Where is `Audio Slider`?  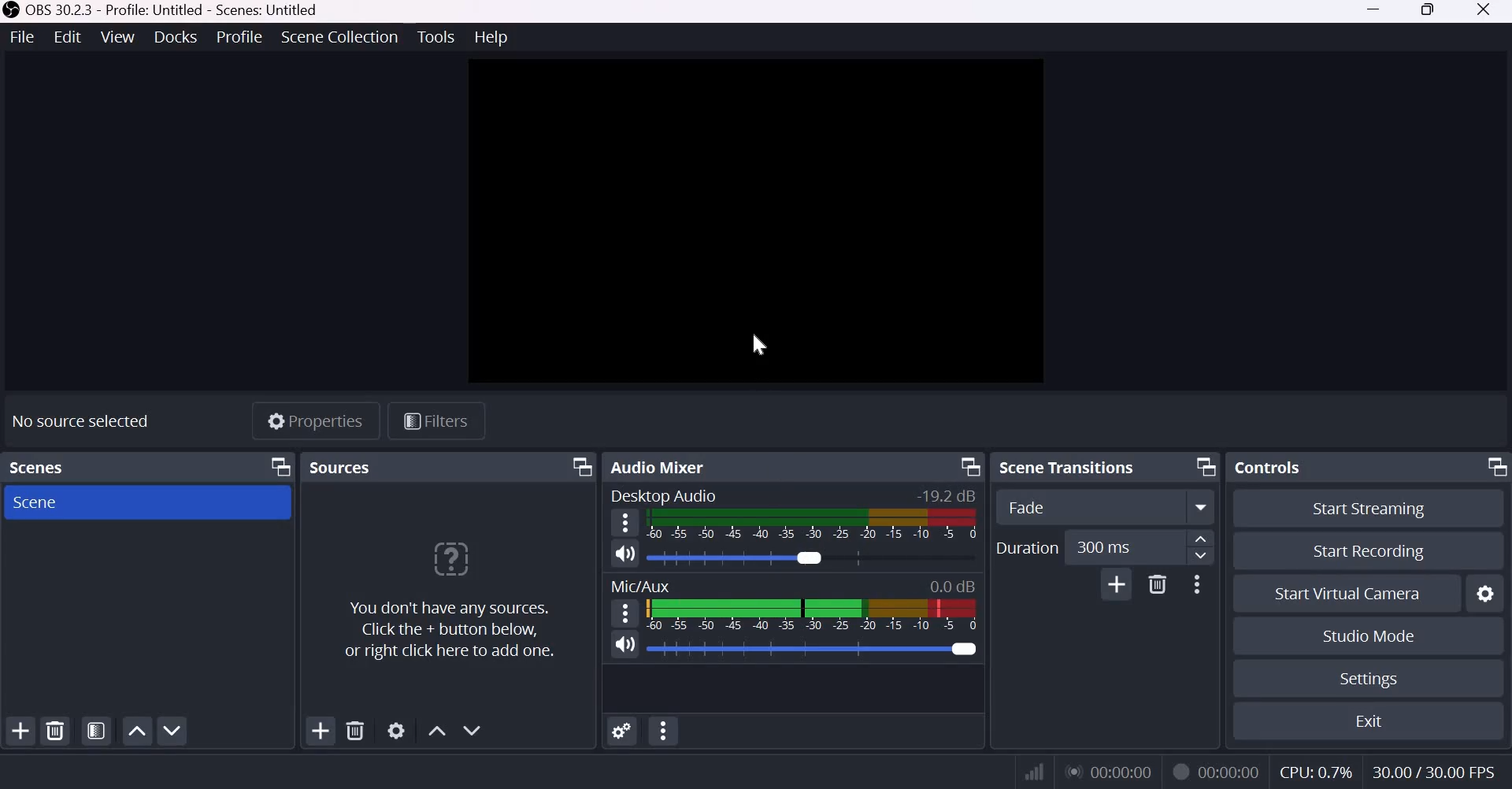 Audio Slider is located at coordinates (738, 557).